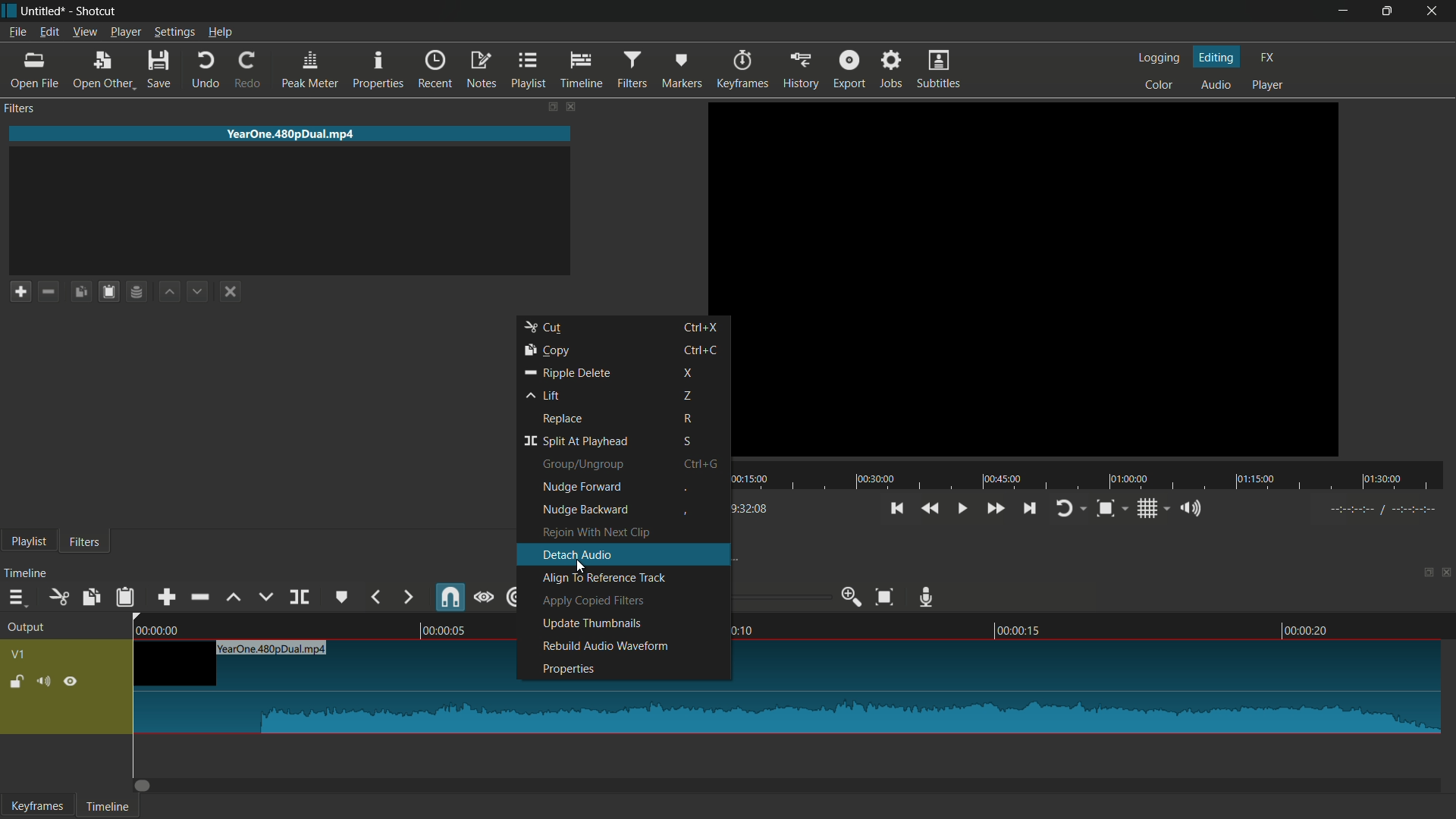 This screenshot has height=819, width=1456. Describe the element at coordinates (876, 479) in the screenshot. I see `00:30:00` at that location.